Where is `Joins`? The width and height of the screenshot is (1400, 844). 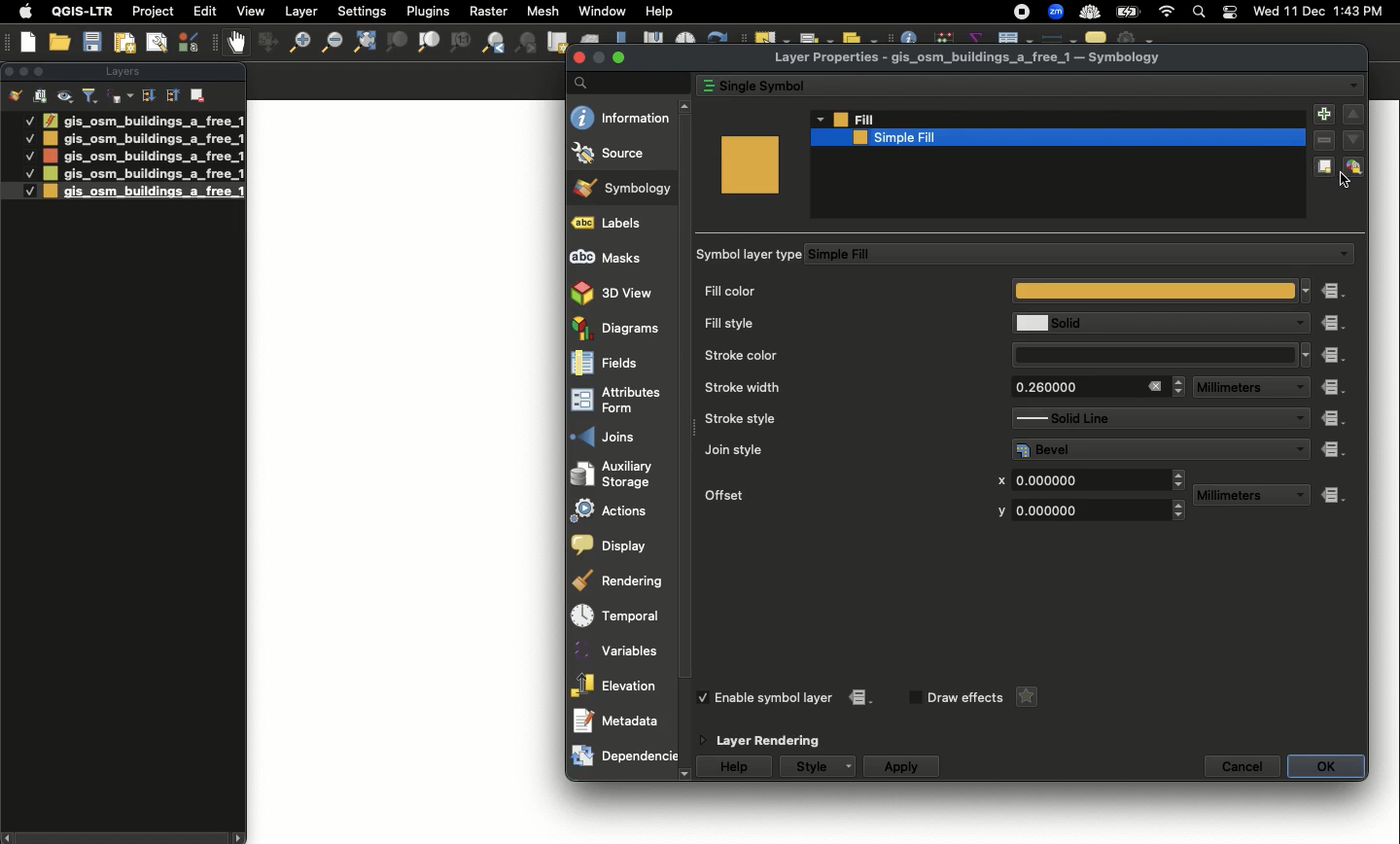
Joins is located at coordinates (621, 436).